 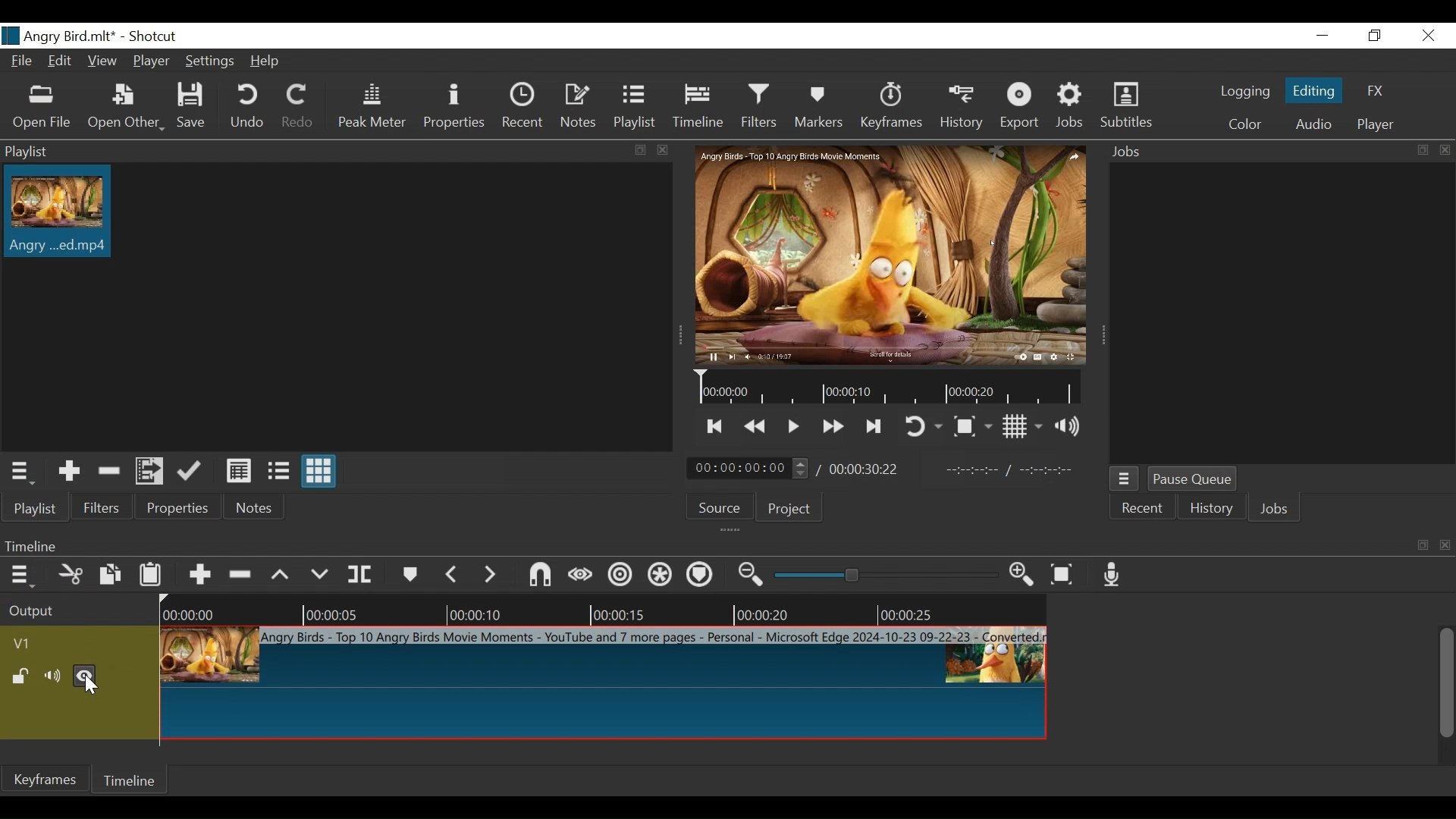 What do you see at coordinates (158, 36) in the screenshot?
I see `Shotcut` at bounding box center [158, 36].